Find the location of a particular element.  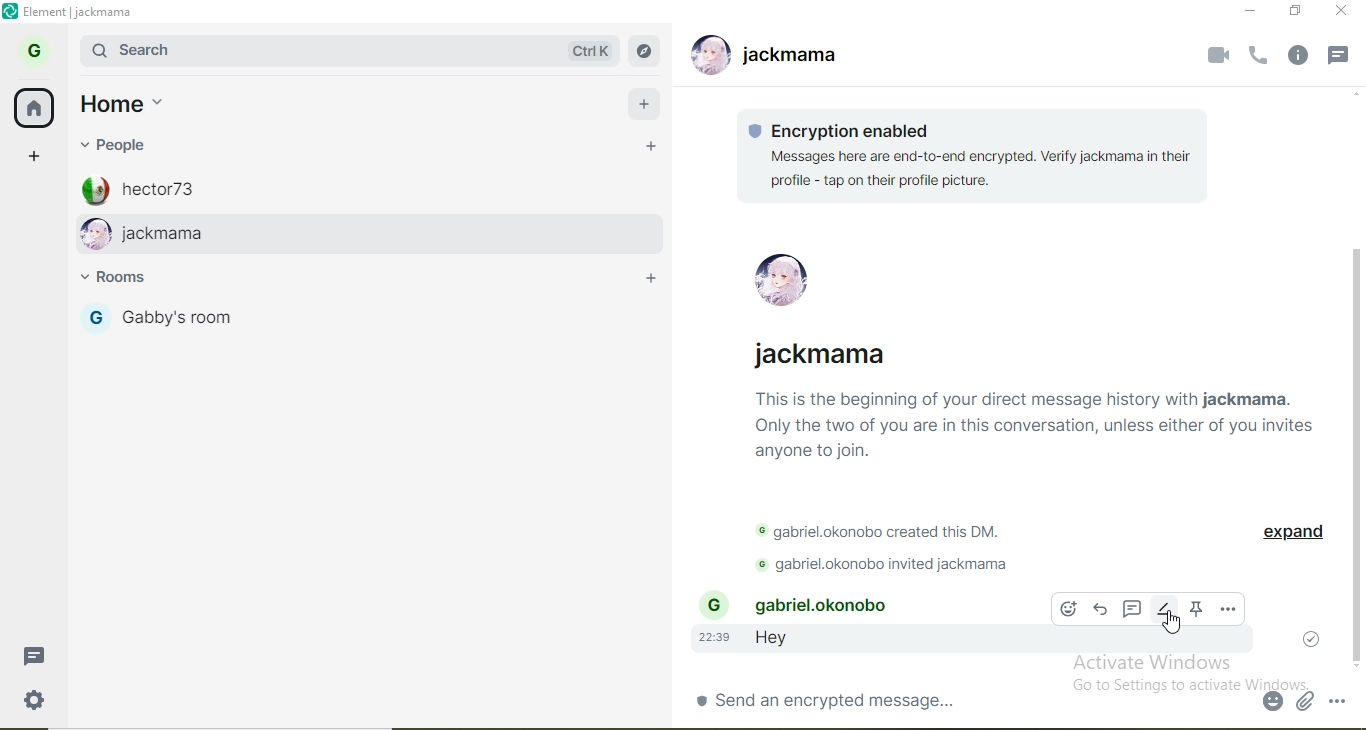

add  is located at coordinates (644, 106).